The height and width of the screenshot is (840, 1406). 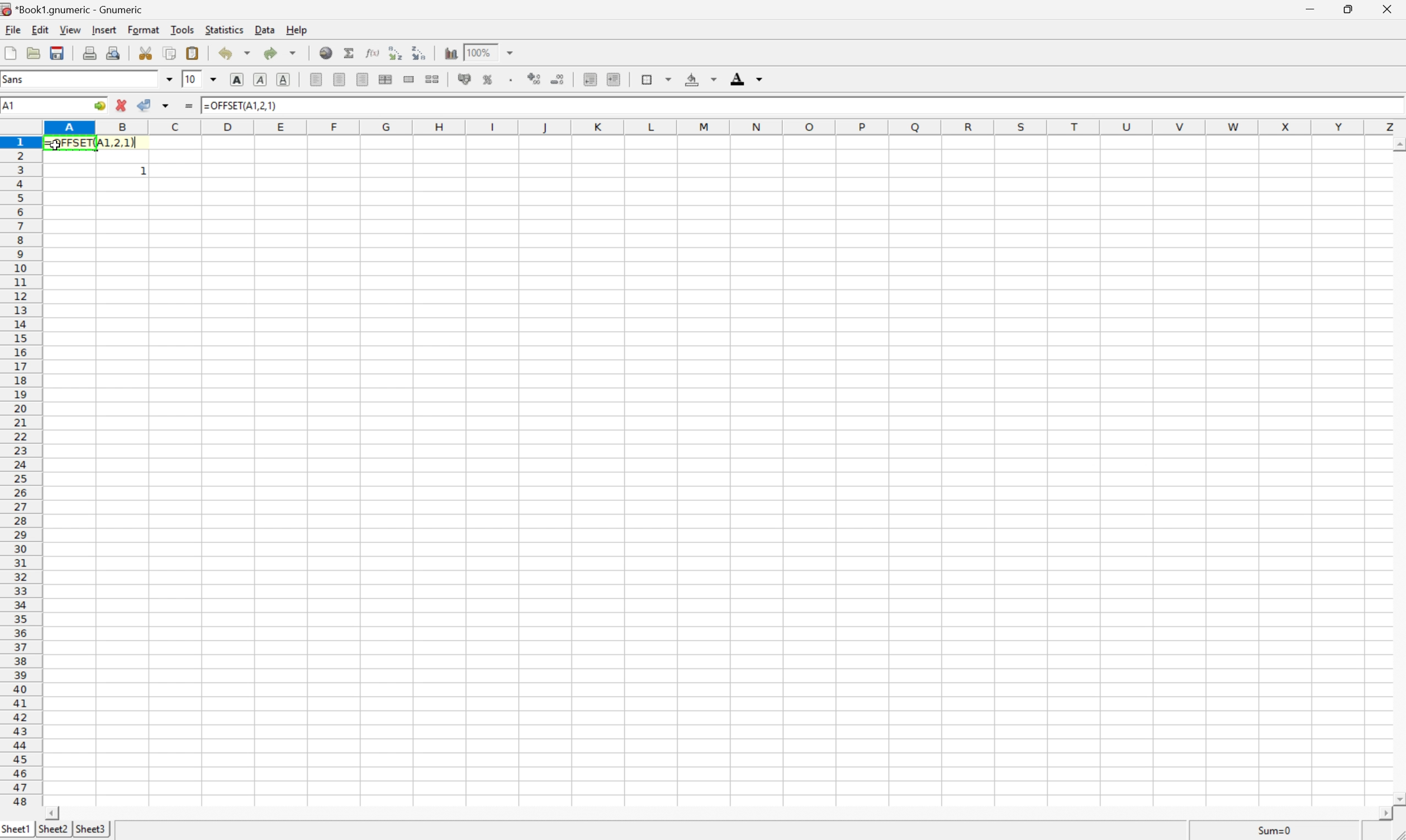 What do you see at coordinates (10, 54) in the screenshot?
I see `create a new workbook` at bounding box center [10, 54].